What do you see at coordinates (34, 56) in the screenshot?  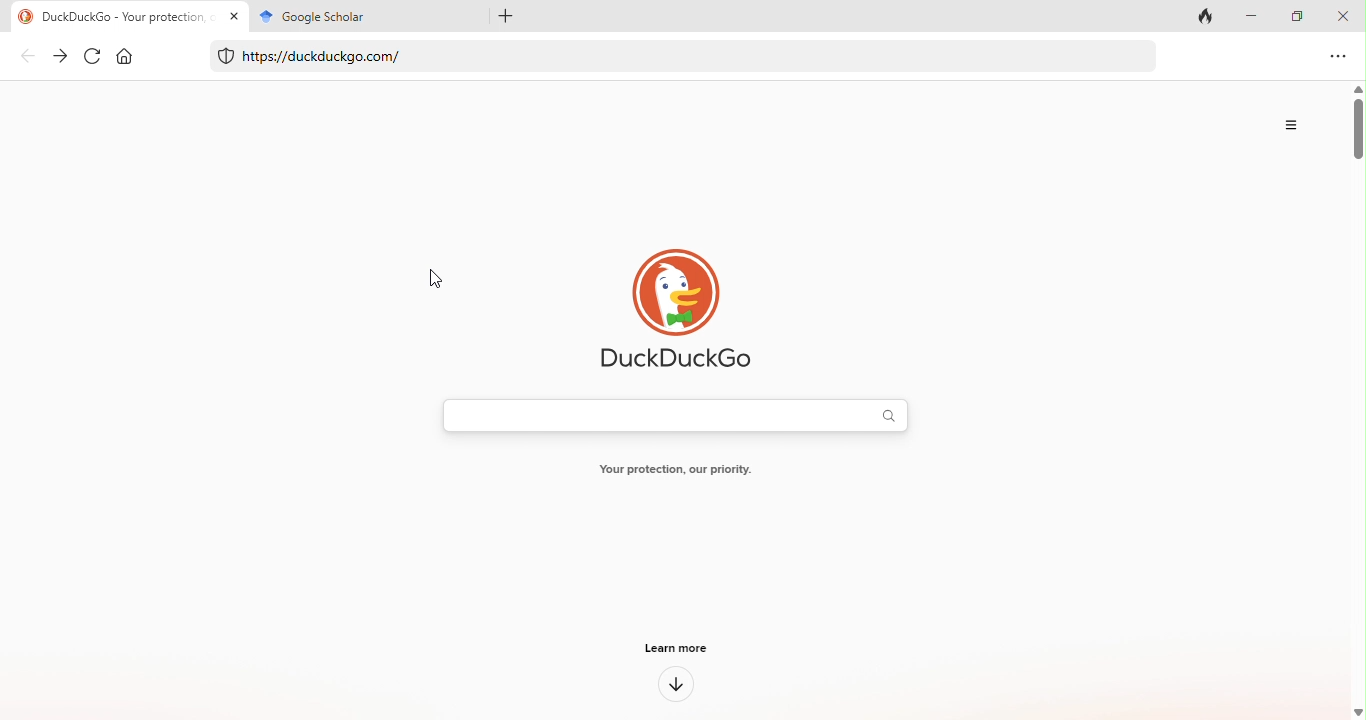 I see `back` at bounding box center [34, 56].